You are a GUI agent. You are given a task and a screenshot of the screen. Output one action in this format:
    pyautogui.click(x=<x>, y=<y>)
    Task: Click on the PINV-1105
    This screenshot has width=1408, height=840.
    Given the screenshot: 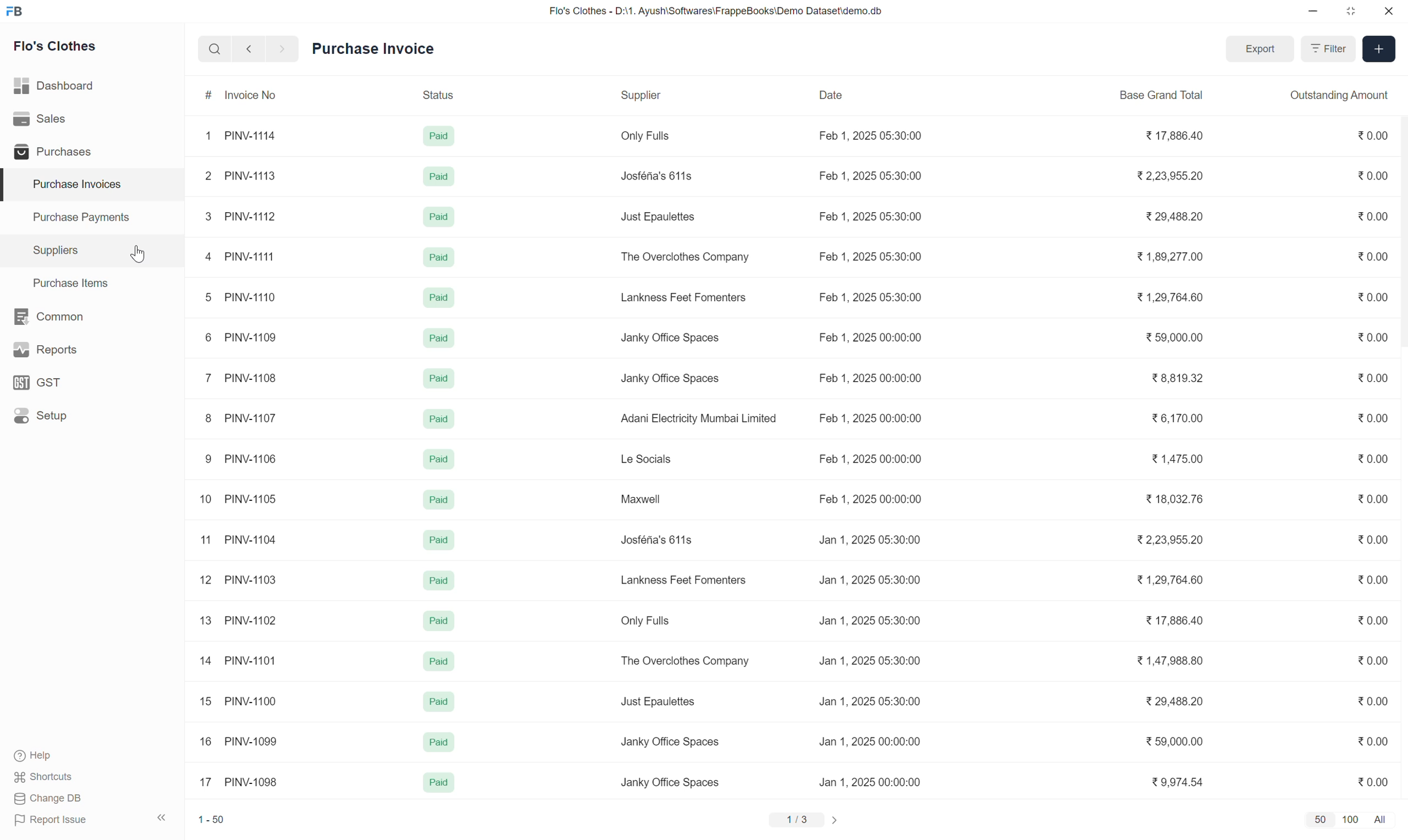 What is the action you would take?
    pyautogui.click(x=252, y=500)
    